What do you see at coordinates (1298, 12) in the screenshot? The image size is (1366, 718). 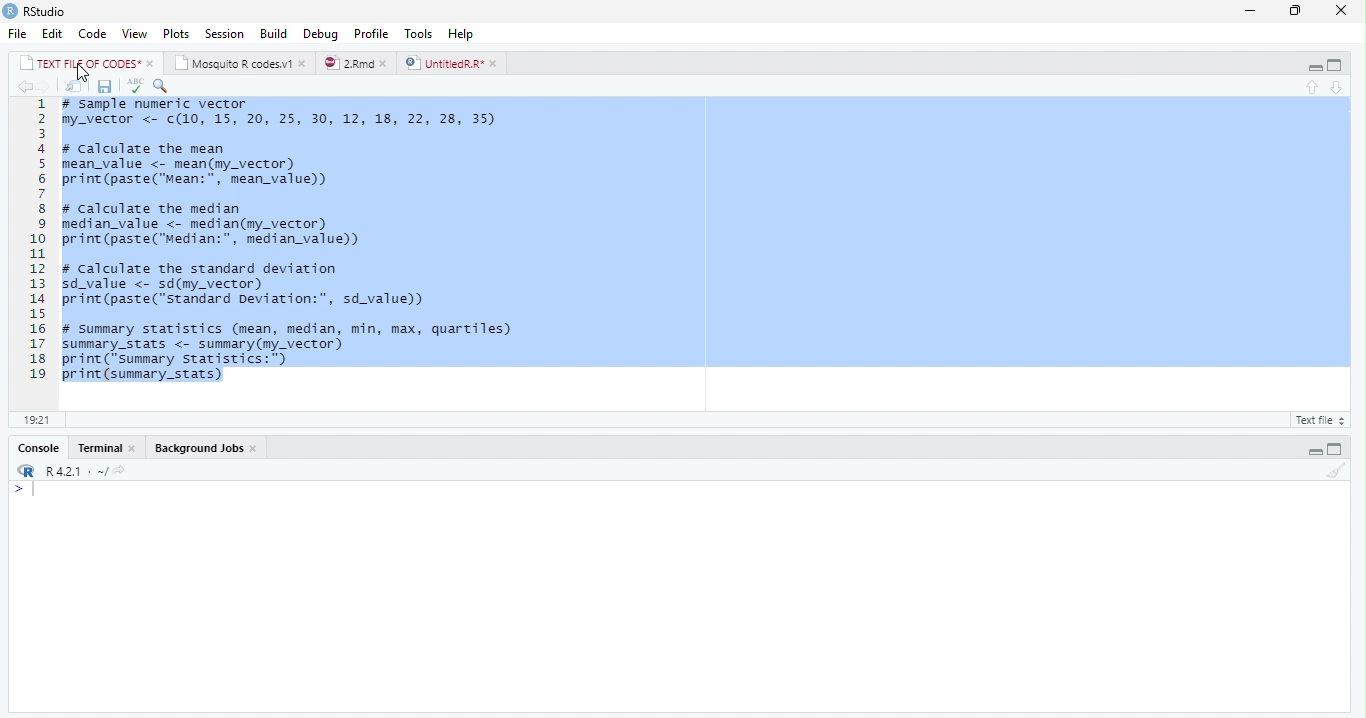 I see `maximize` at bounding box center [1298, 12].